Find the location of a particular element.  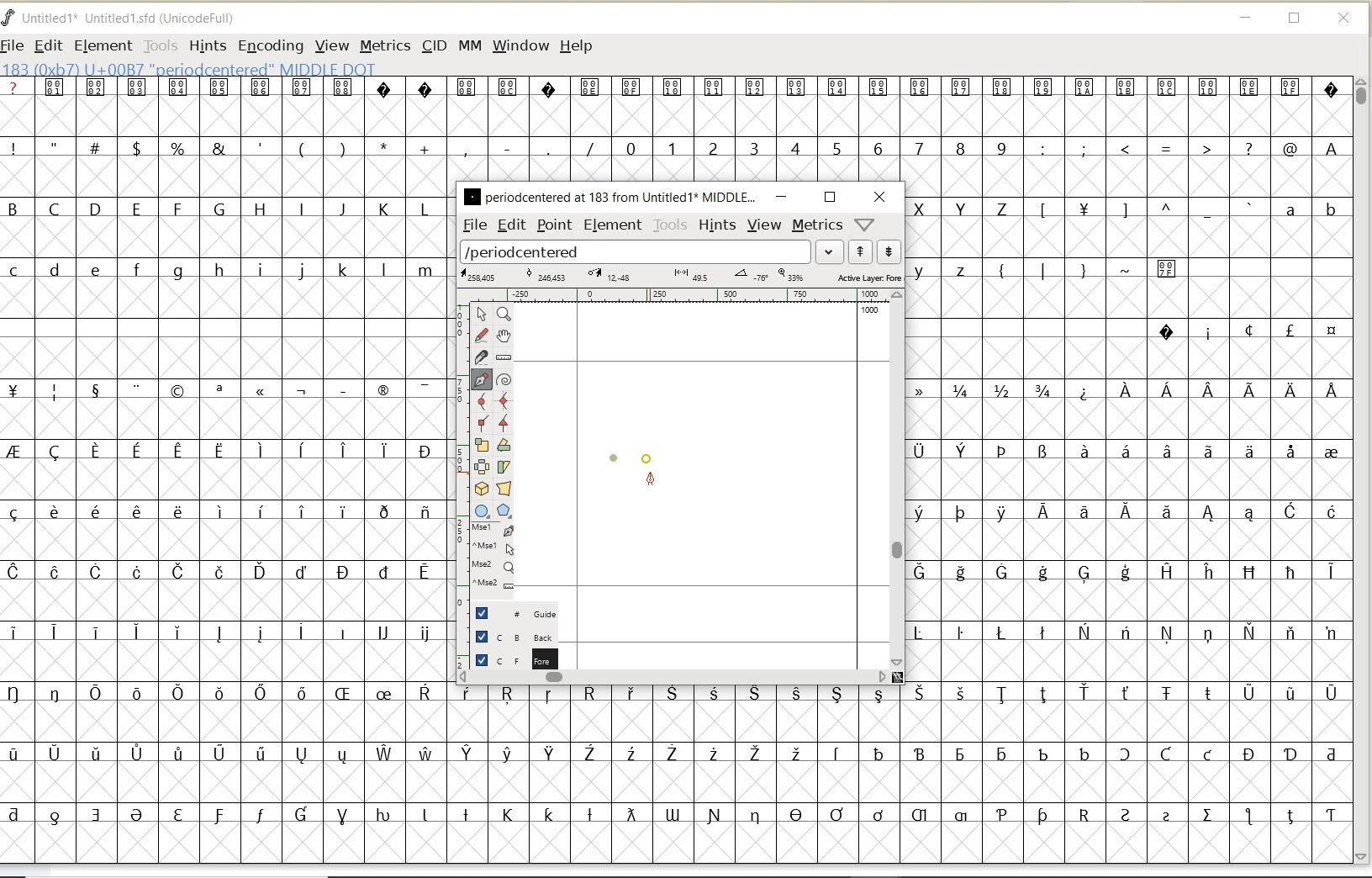

polygon or star is located at coordinates (506, 511).